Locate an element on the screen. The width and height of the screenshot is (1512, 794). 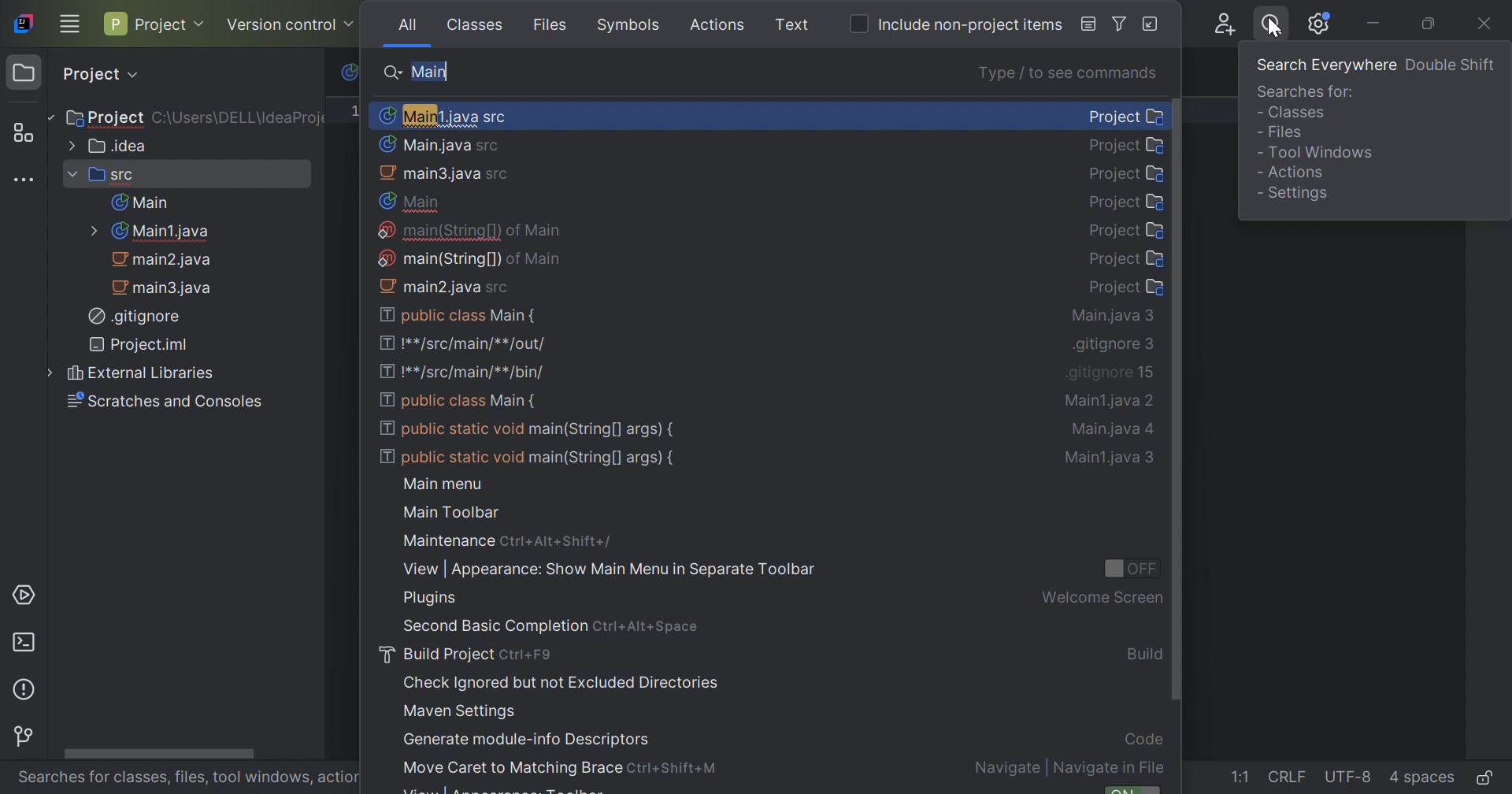
Project.iml is located at coordinates (143, 343).